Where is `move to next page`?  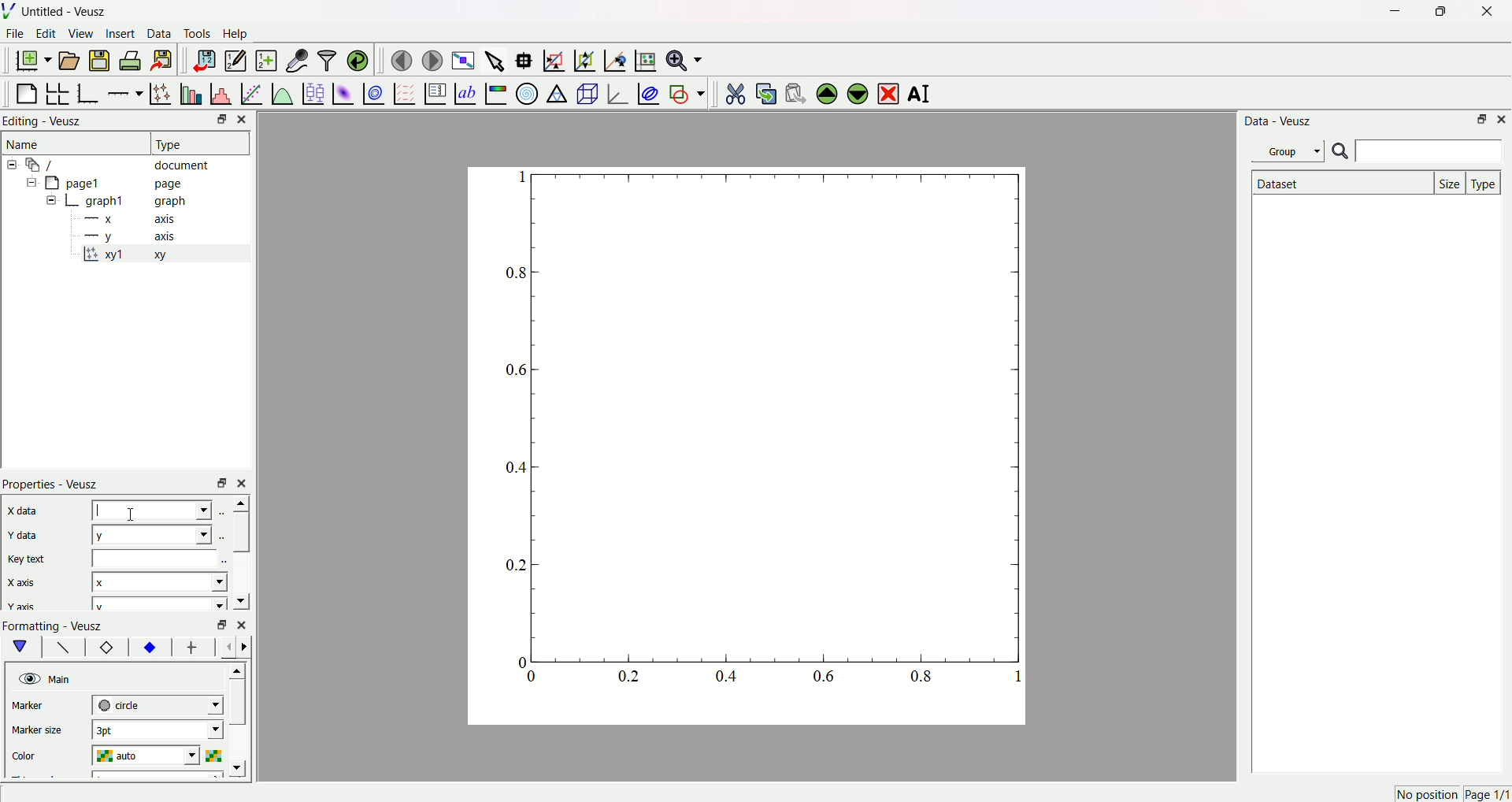 move to next page is located at coordinates (433, 58).